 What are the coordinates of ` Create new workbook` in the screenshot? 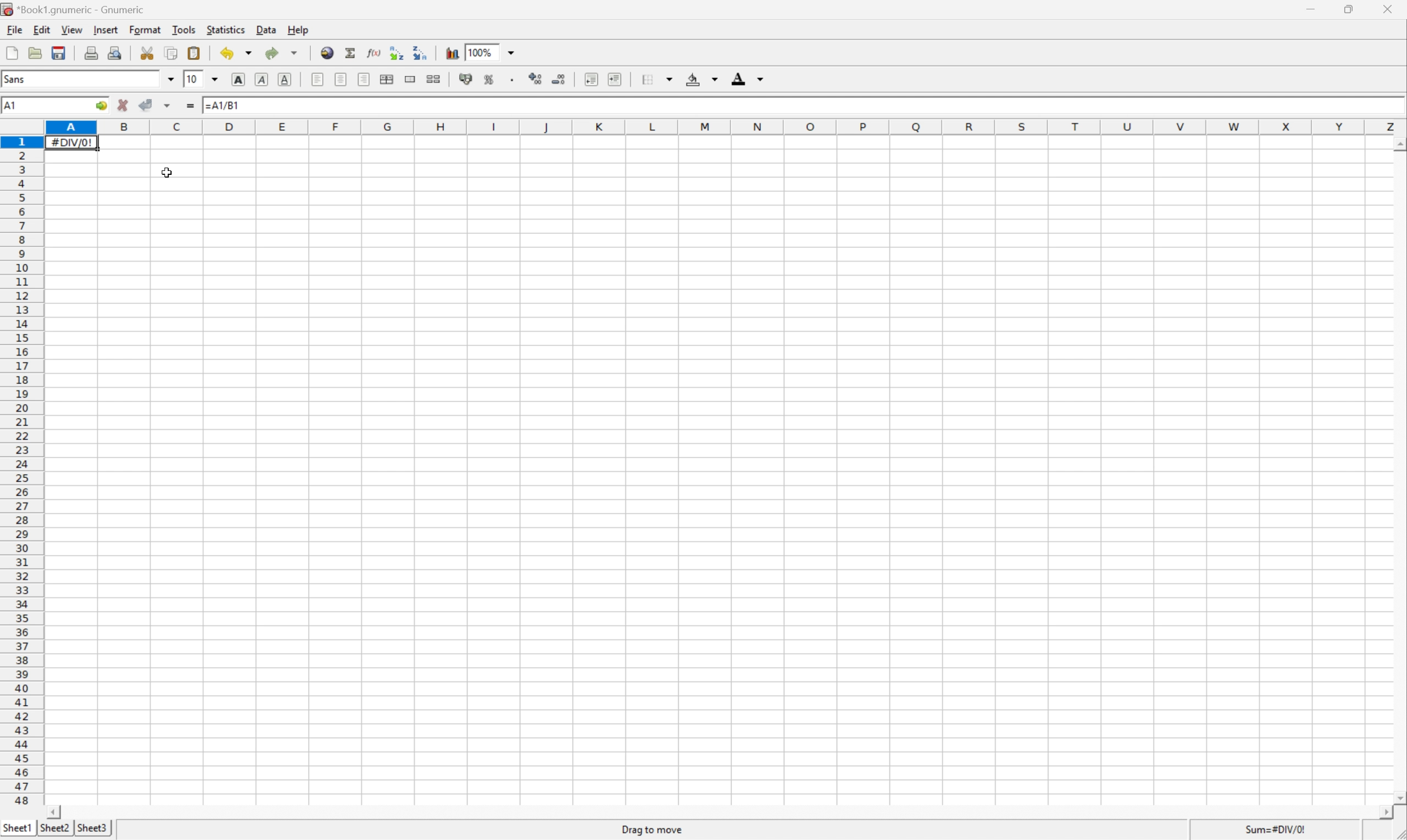 It's located at (11, 53).